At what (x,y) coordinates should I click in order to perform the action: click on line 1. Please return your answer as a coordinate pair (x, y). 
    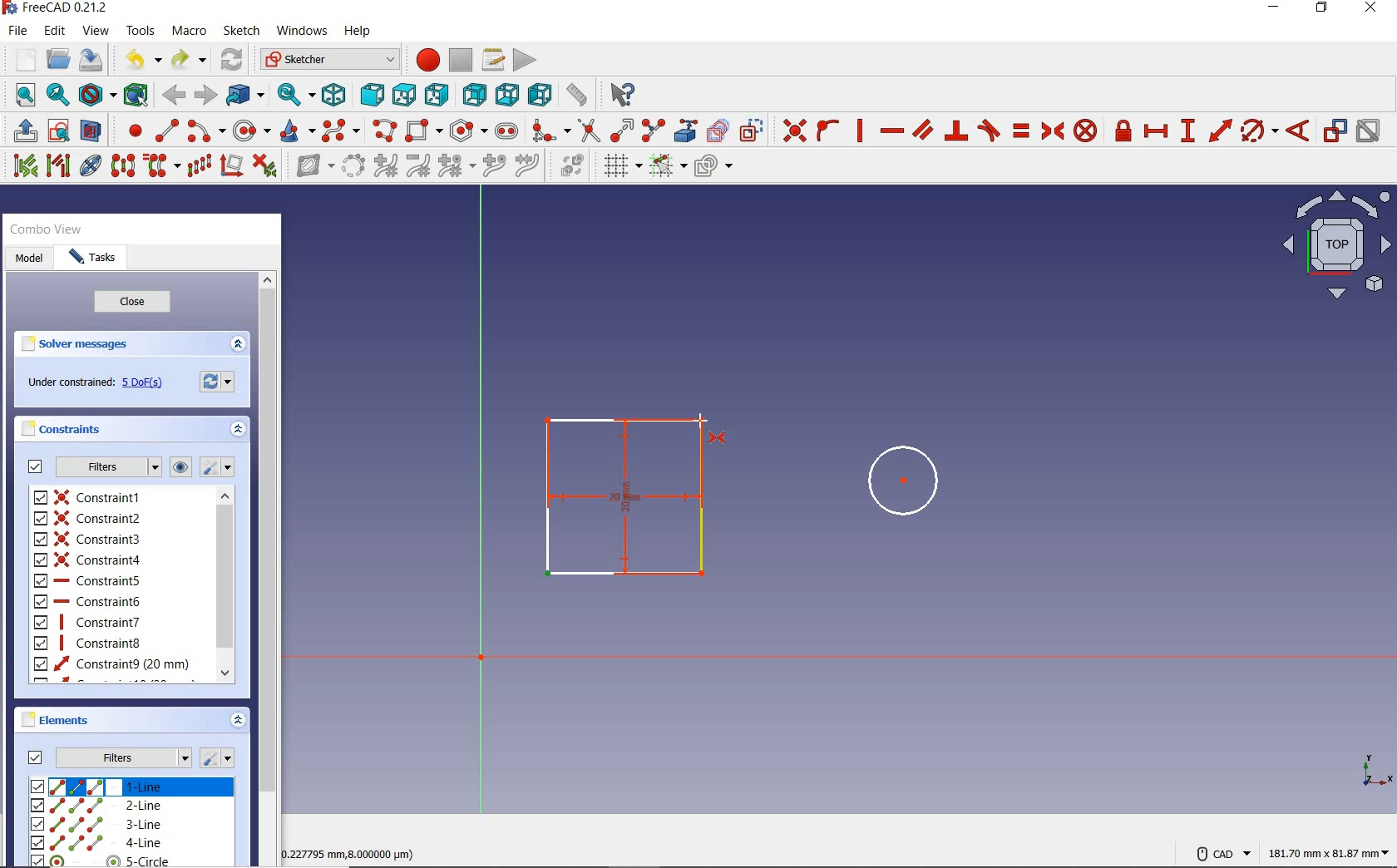
    Looking at the image, I should click on (131, 787).